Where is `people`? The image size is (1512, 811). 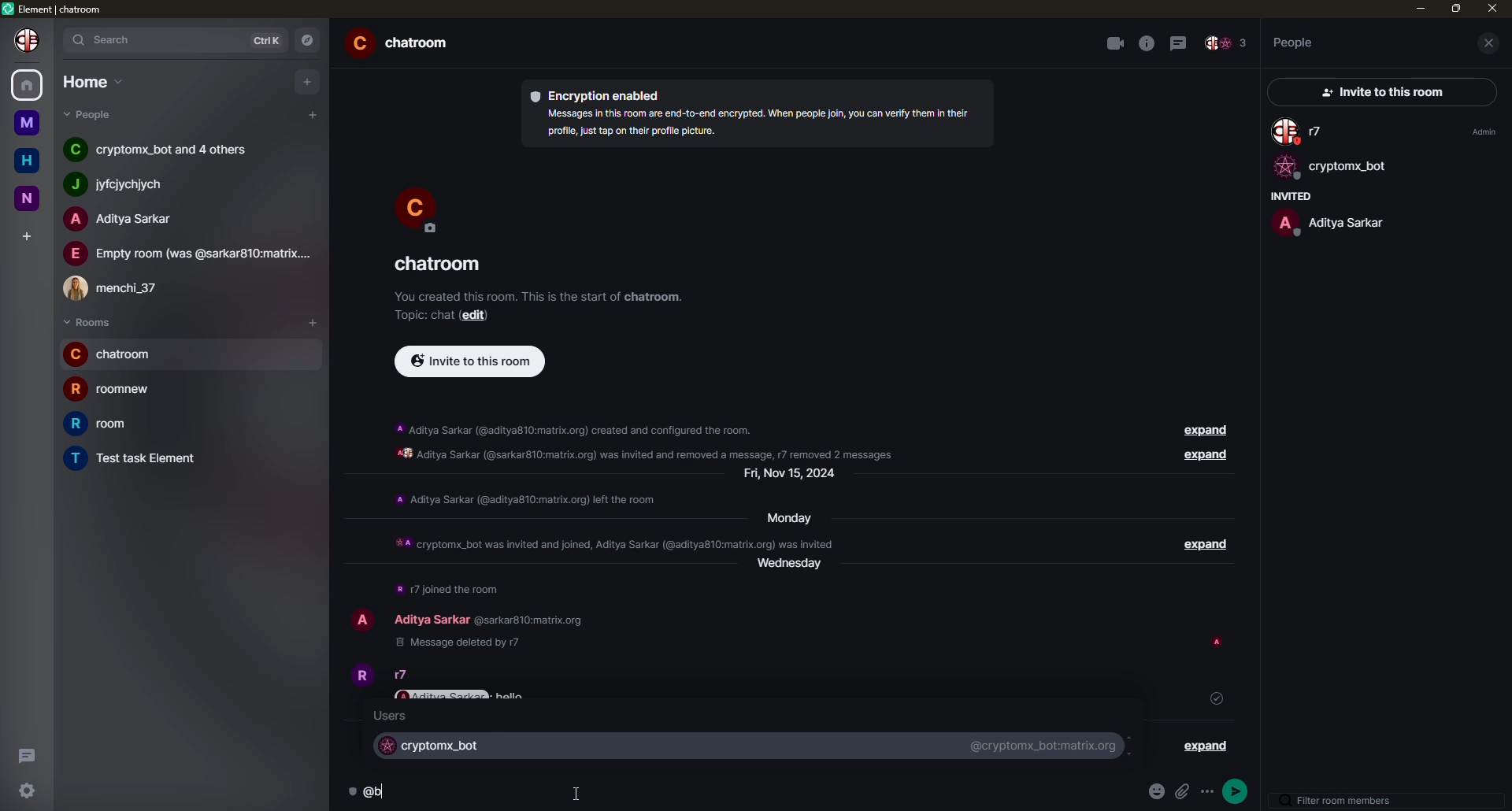
people is located at coordinates (1295, 42).